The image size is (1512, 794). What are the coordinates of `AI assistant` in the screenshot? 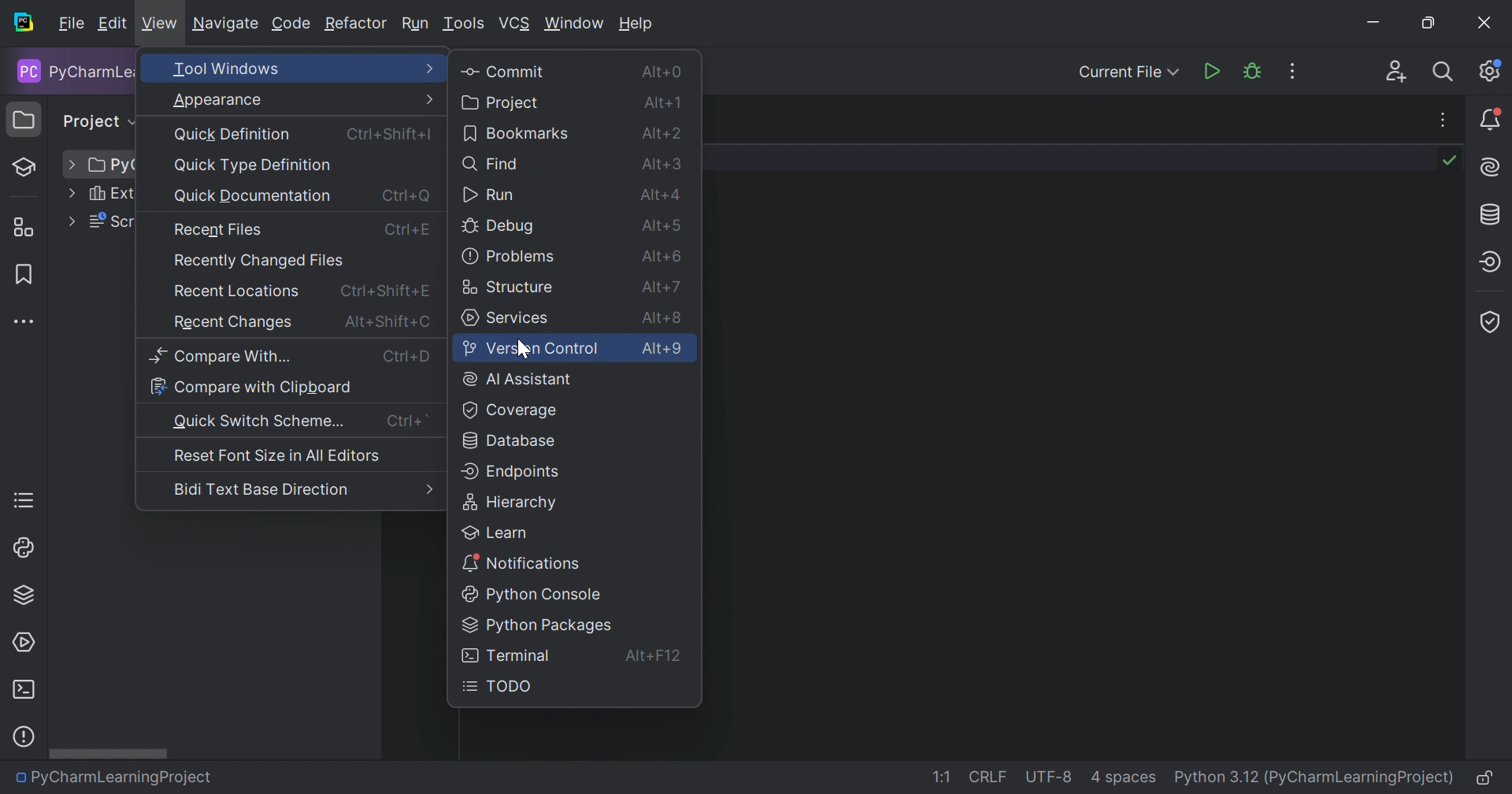 It's located at (1492, 167).